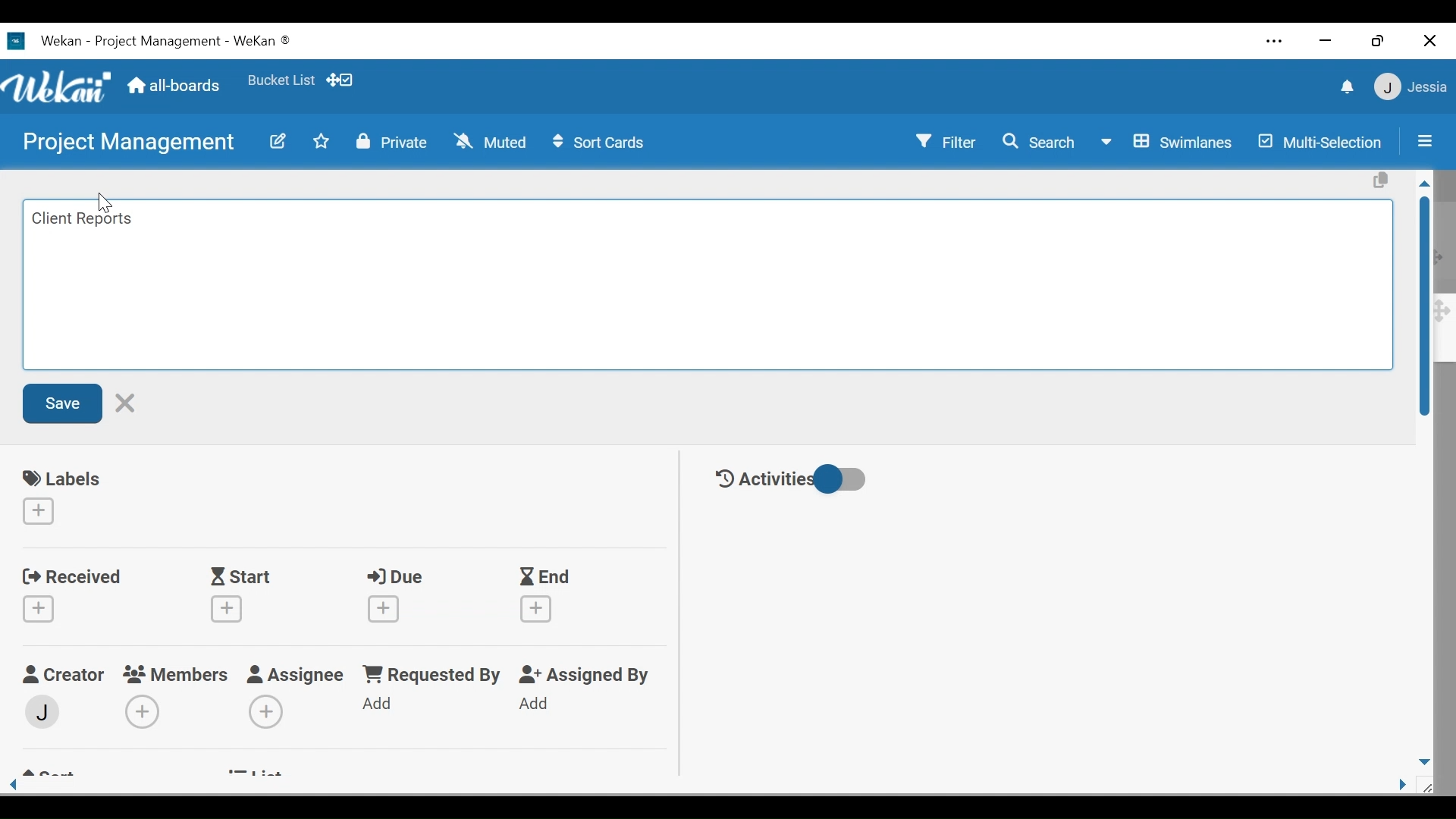 This screenshot has width=1456, height=819. Describe the element at coordinates (945, 143) in the screenshot. I see `Filter` at that location.